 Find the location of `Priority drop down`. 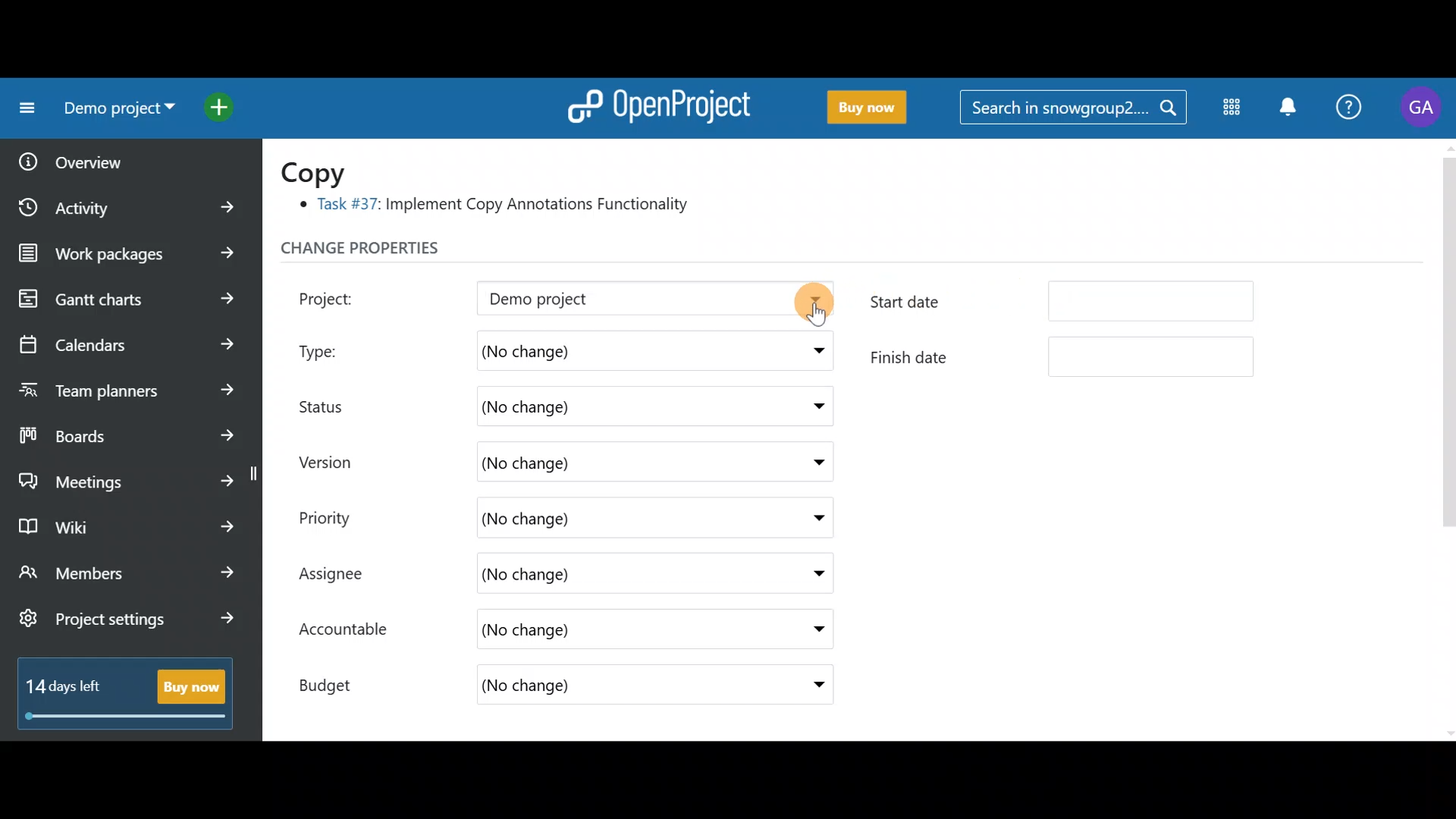

Priority drop down is located at coordinates (804, 516).